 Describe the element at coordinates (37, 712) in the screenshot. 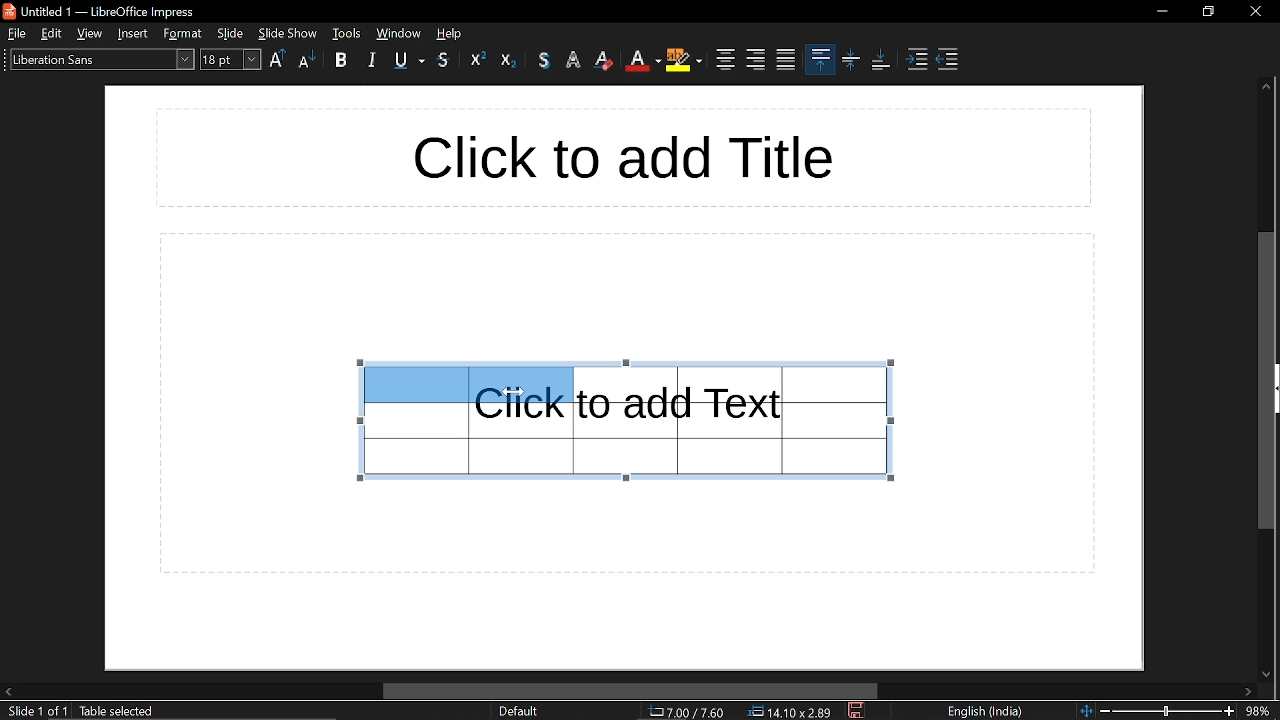

I see `slide 1 of 1` at that location.